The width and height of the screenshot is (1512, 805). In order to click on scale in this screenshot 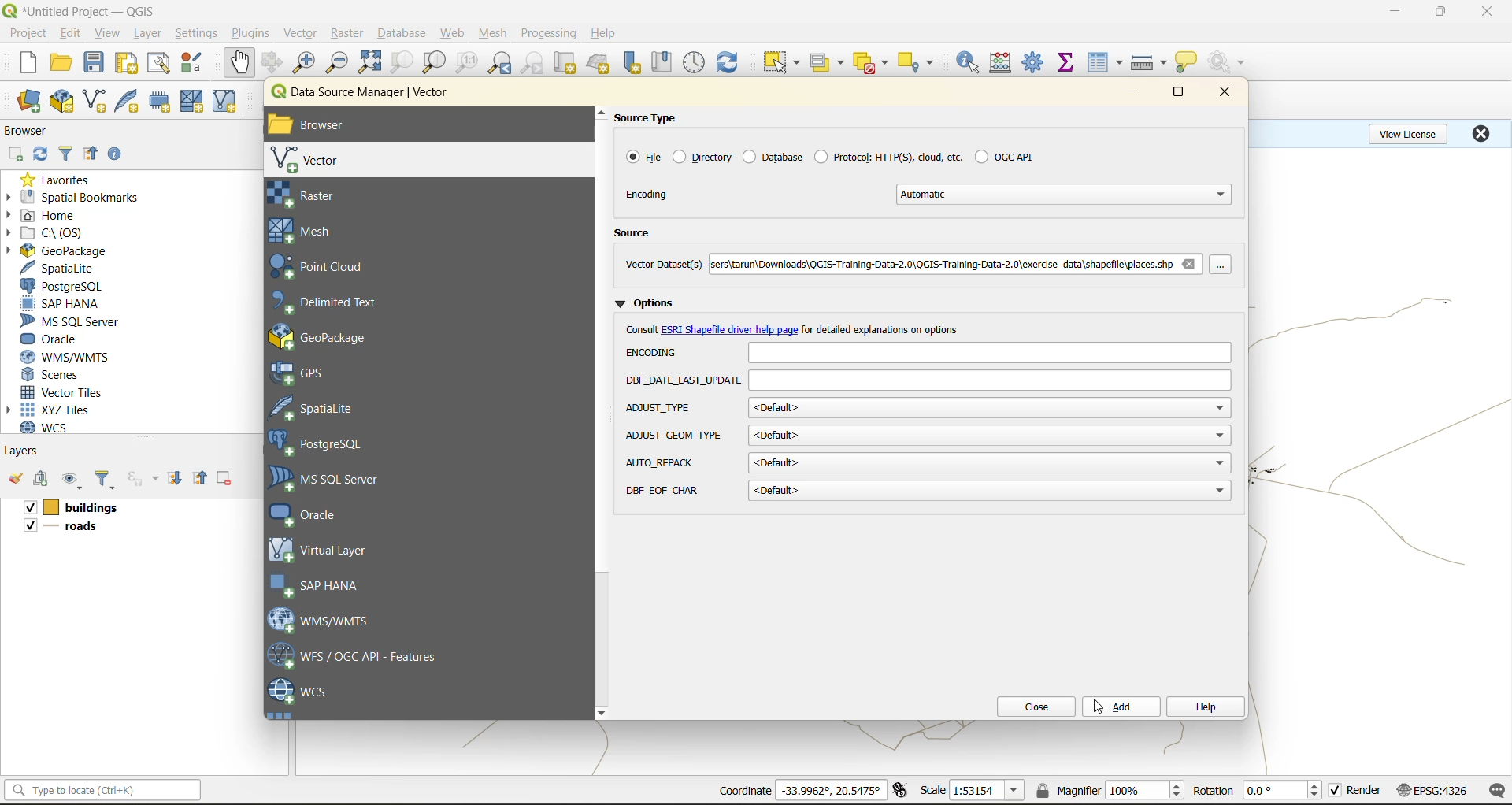, I will do `click(986, 791)`.